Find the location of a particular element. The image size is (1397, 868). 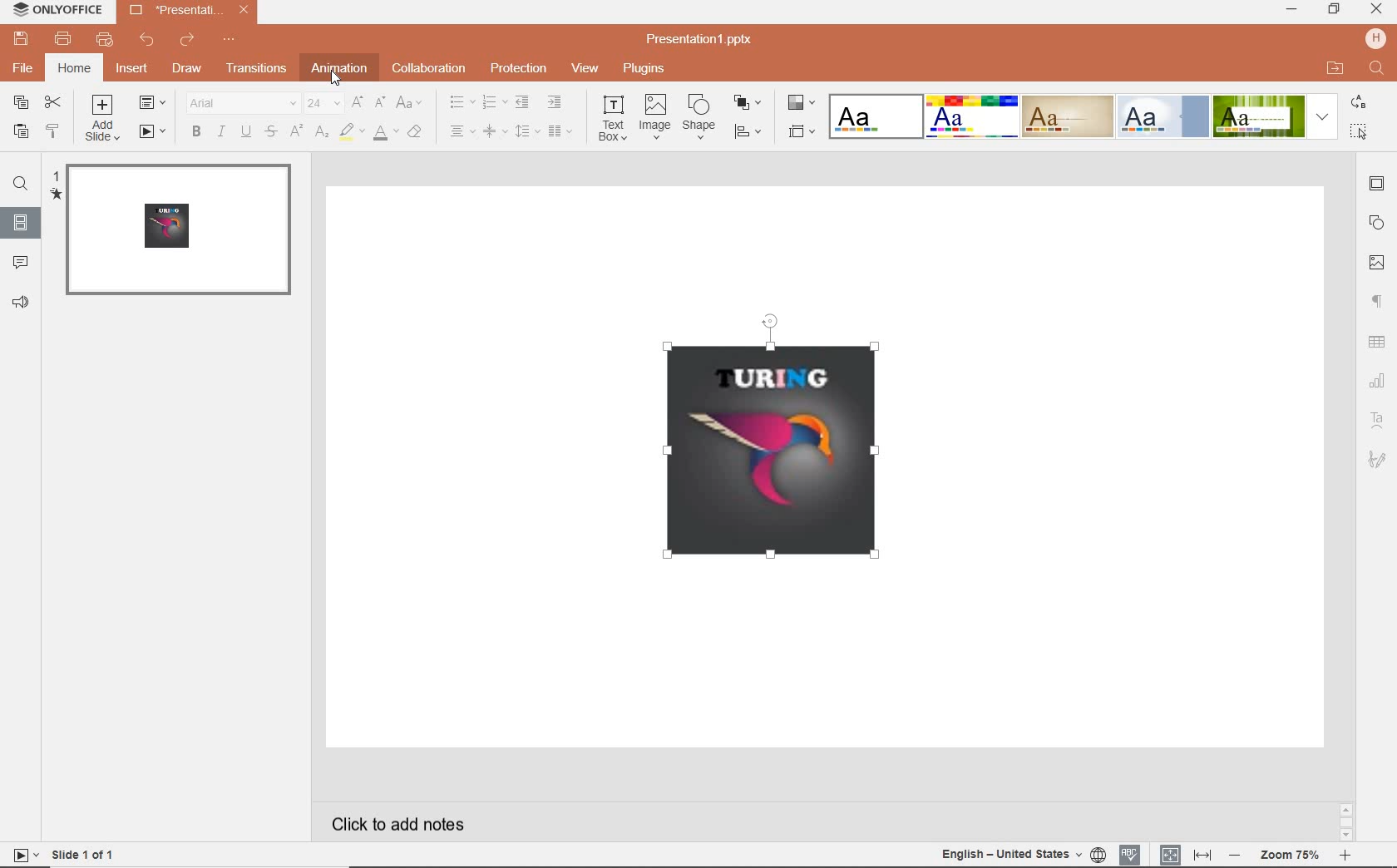

fit to slide is located at coordinates (1171, 854).